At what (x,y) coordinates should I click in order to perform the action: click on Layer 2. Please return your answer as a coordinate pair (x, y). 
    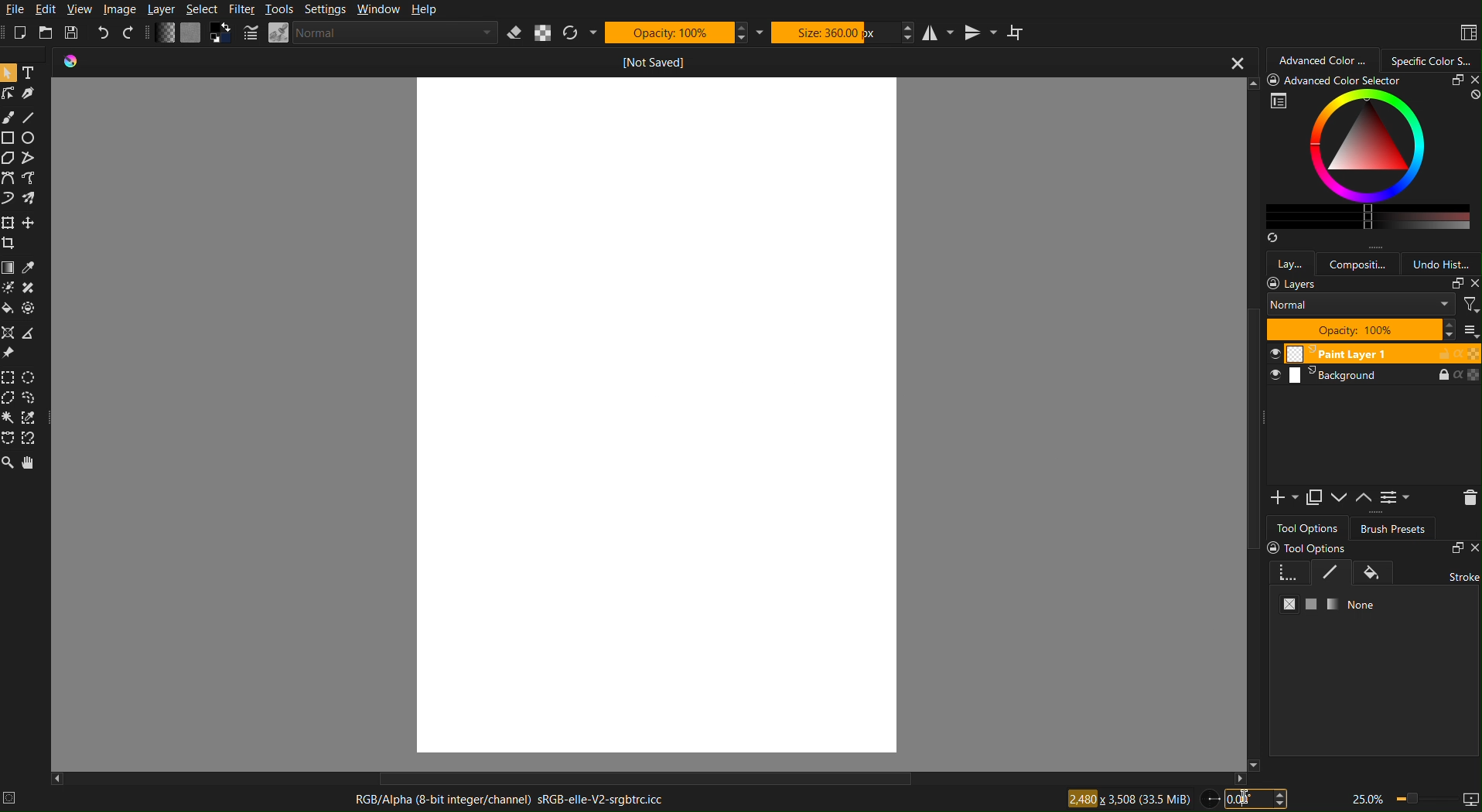
    Looking at the image, I should click on (1374, 375).